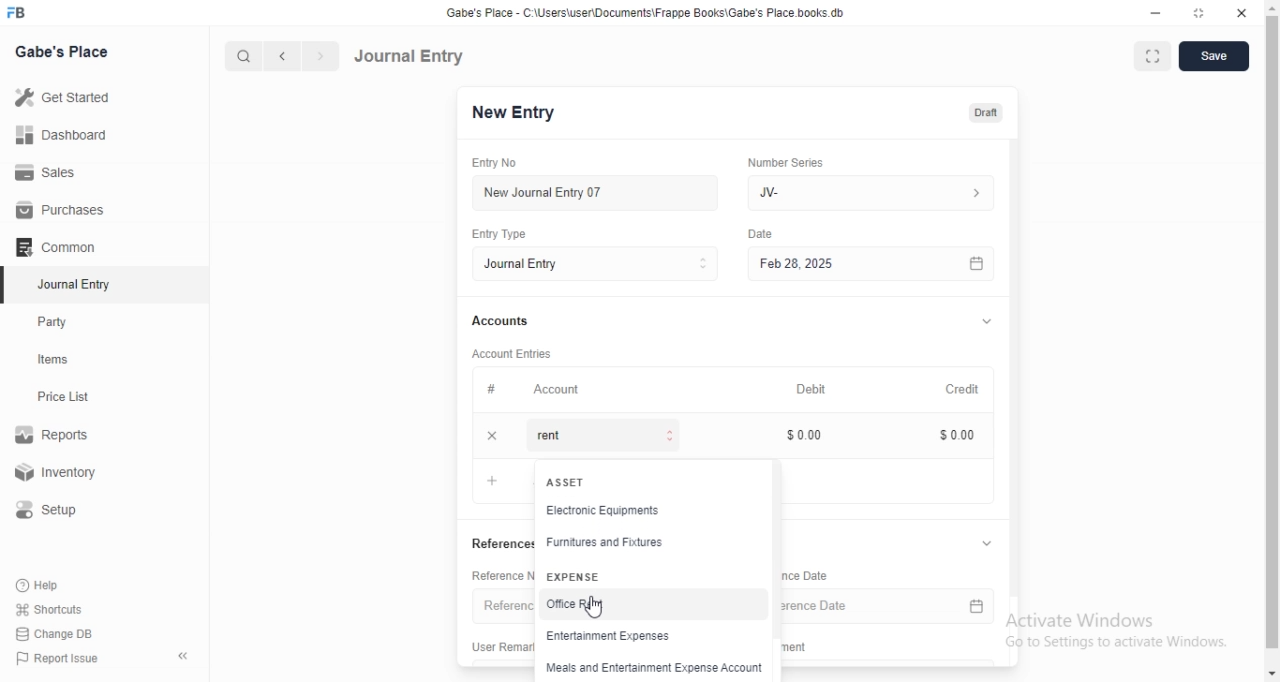 This screenshot has width=1280, height=682. I want to click on Furnitures and fixtures, so click(608, 545).